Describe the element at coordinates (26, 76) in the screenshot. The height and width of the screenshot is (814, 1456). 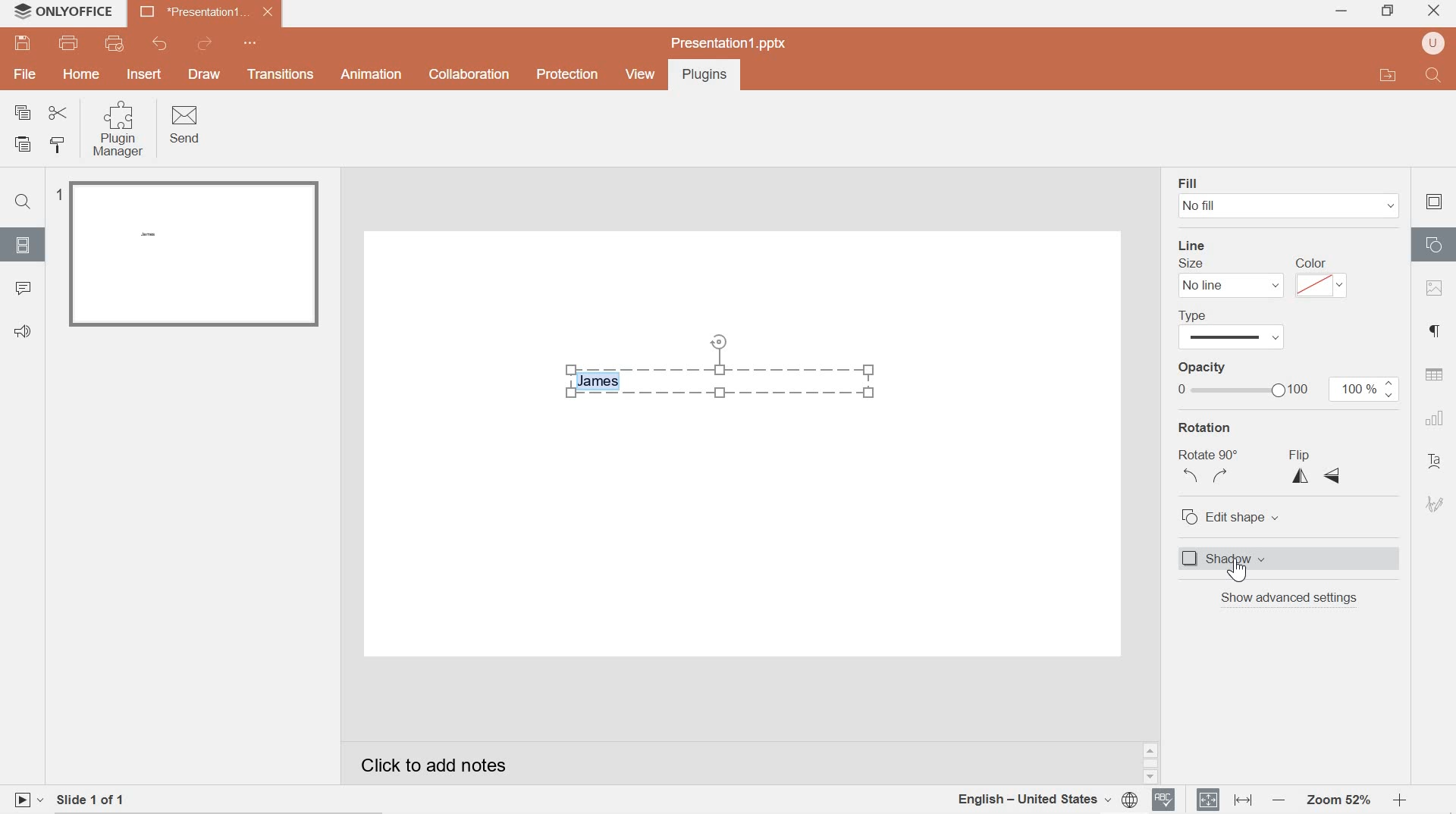
I see `file` at that location.